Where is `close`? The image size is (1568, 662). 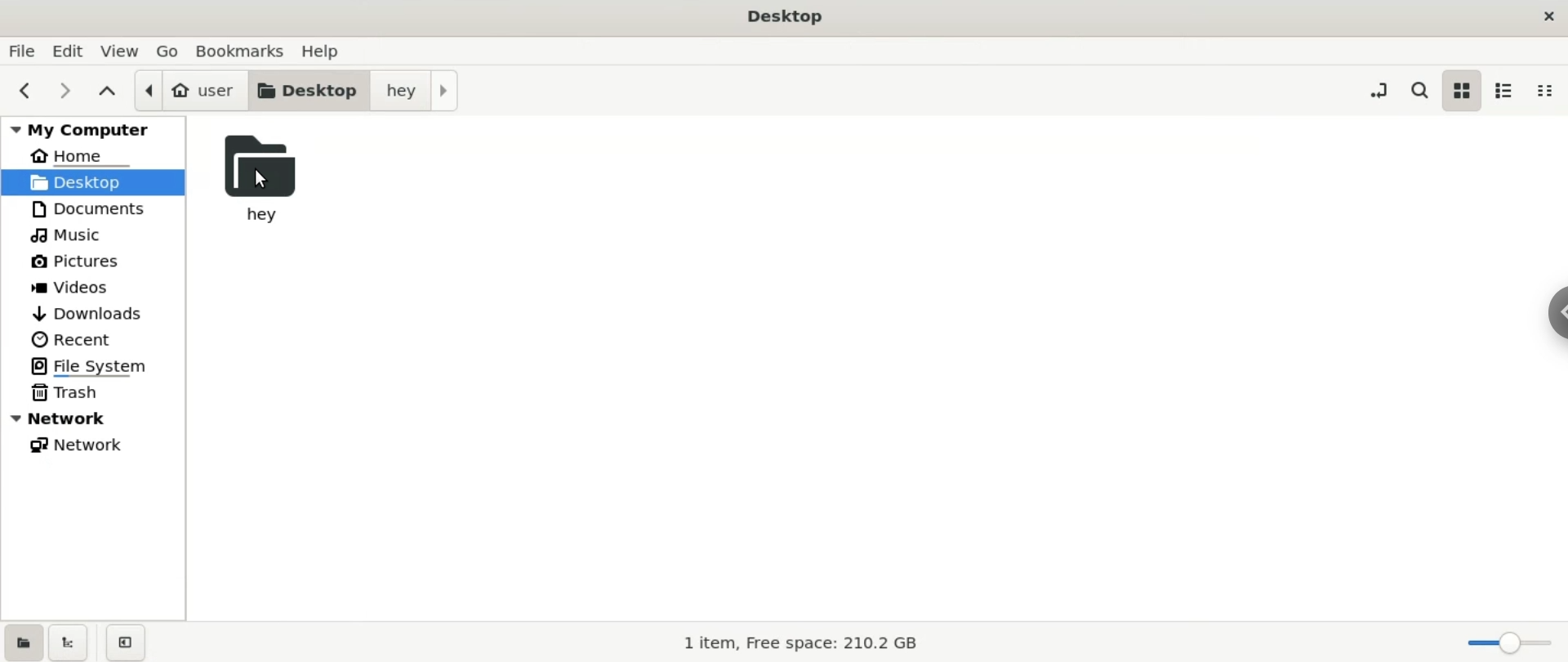
close is located at coordinates (1548, 13).